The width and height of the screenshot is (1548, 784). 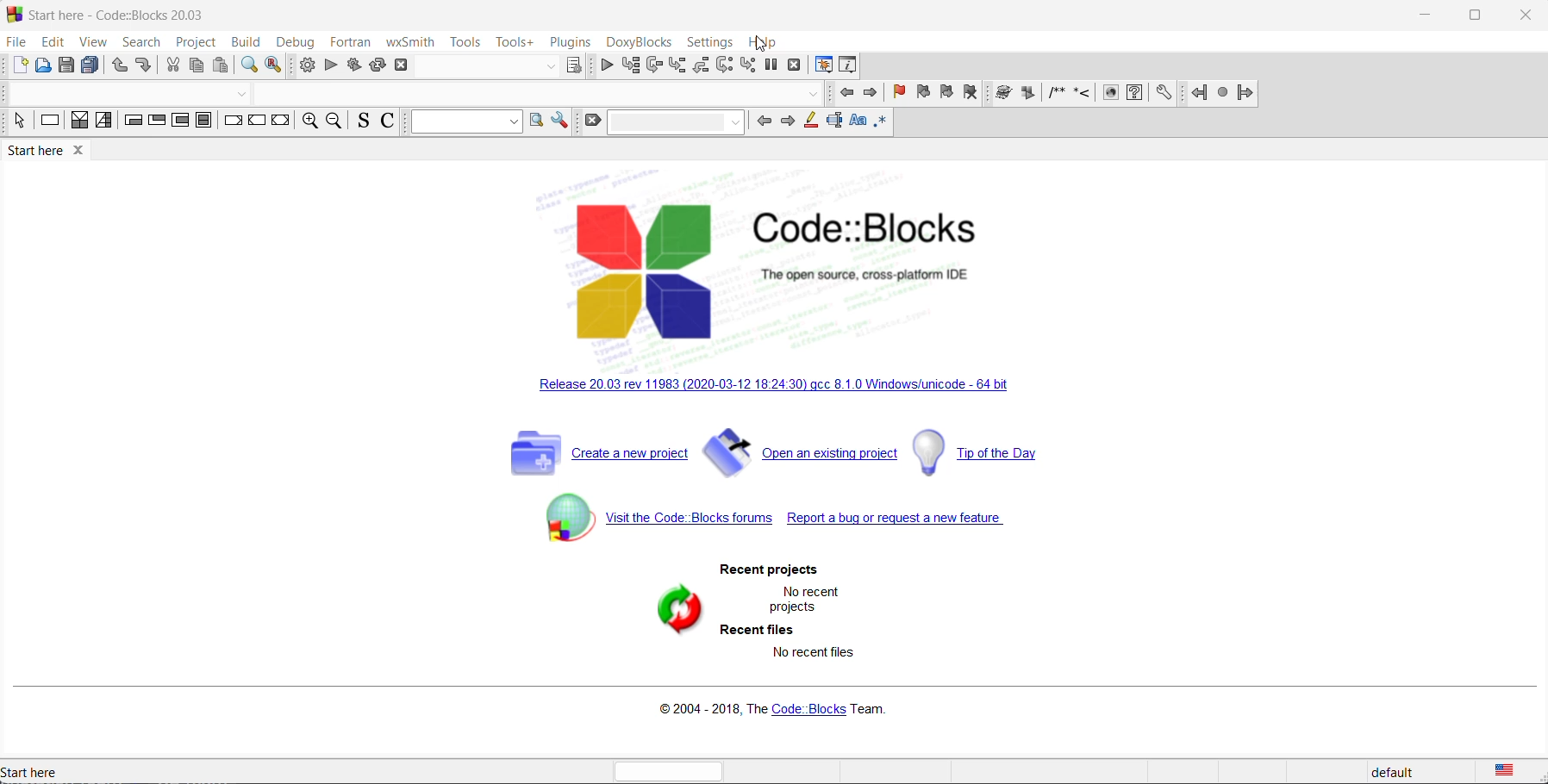 What do you see at coordinates (812, 654) in the screenshot?
I see `no recent file` at bounding box center [812, 654].